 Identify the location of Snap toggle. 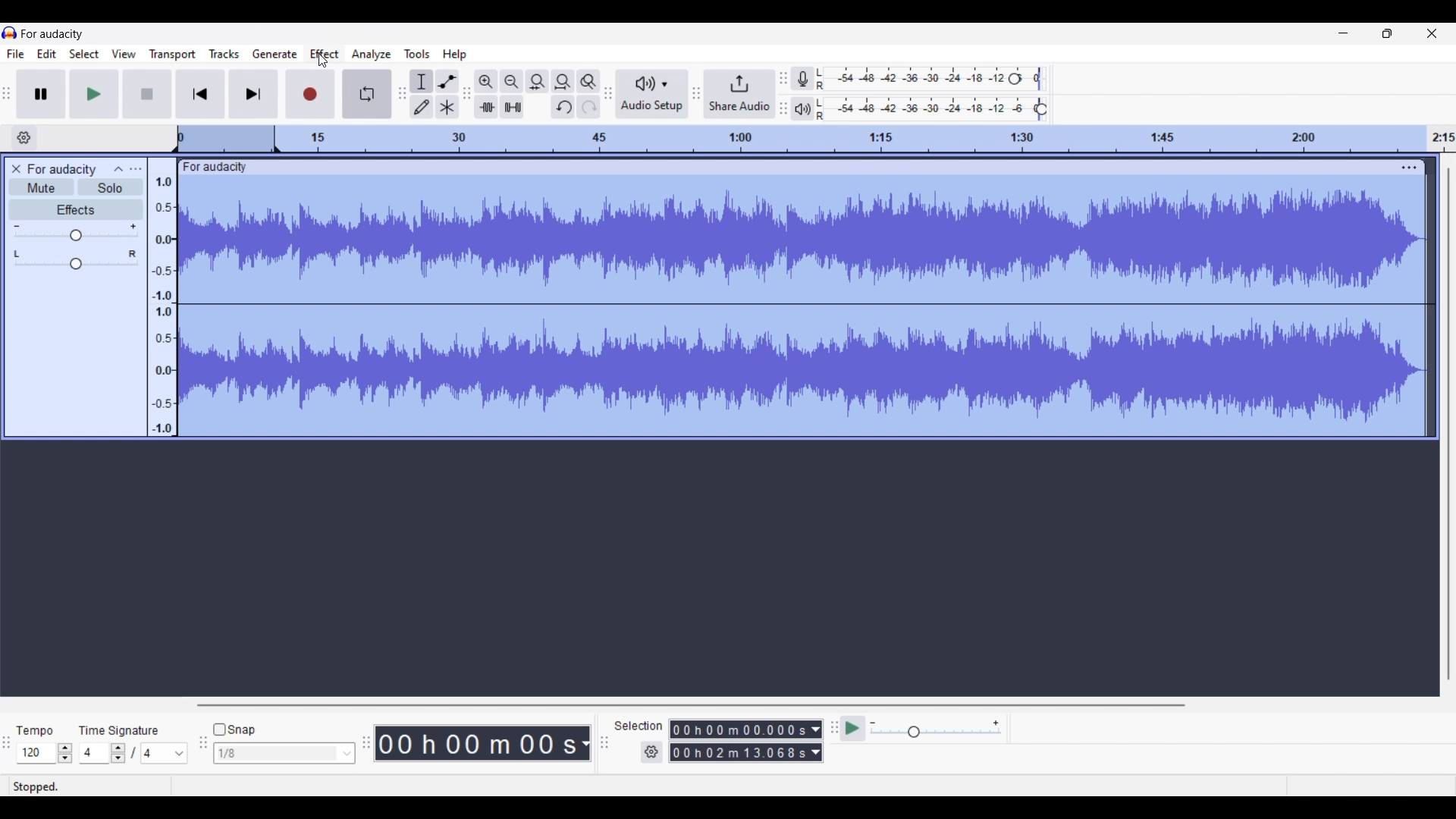
(234, 730).